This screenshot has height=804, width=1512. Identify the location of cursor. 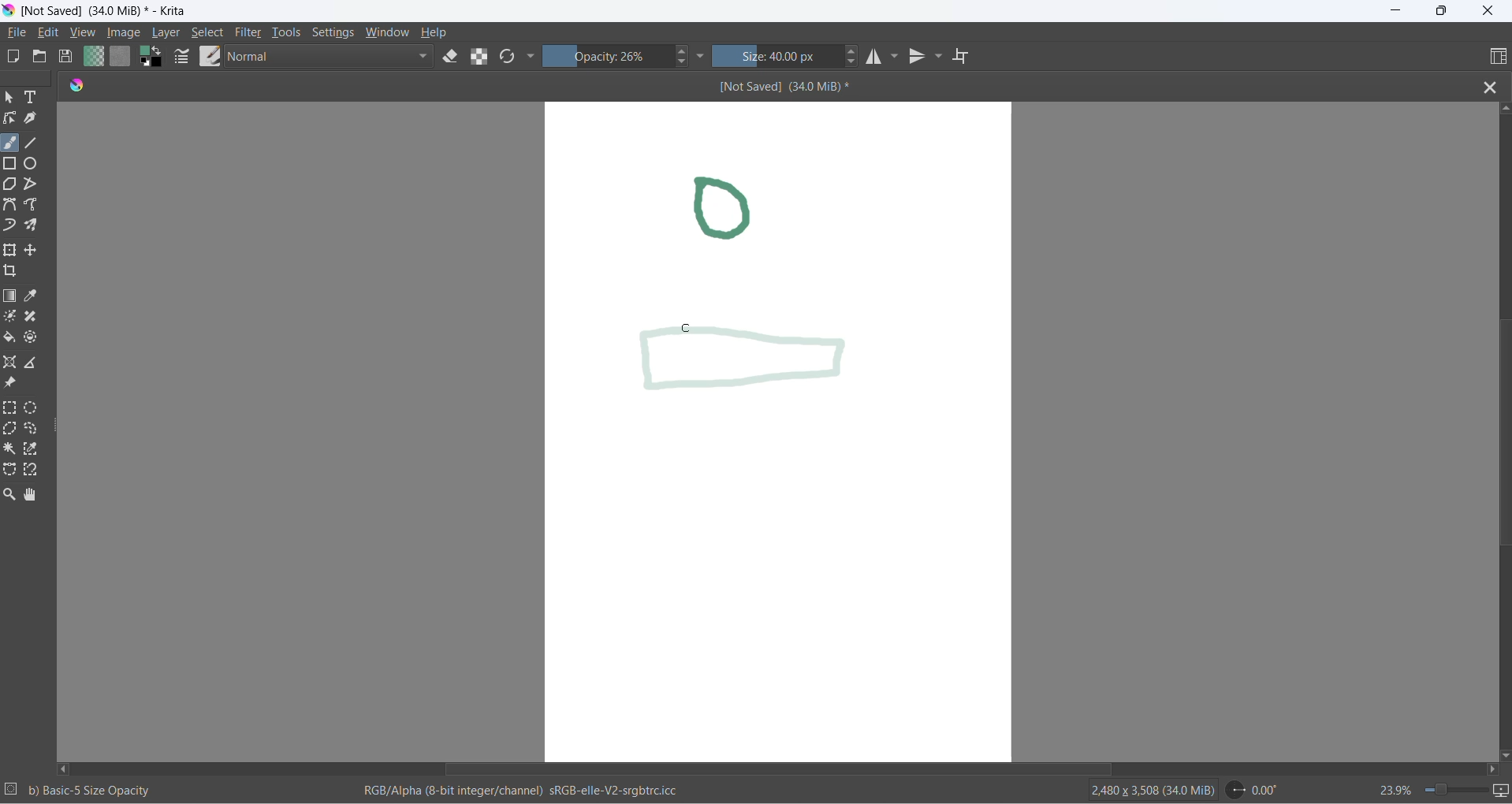
(687, 329).